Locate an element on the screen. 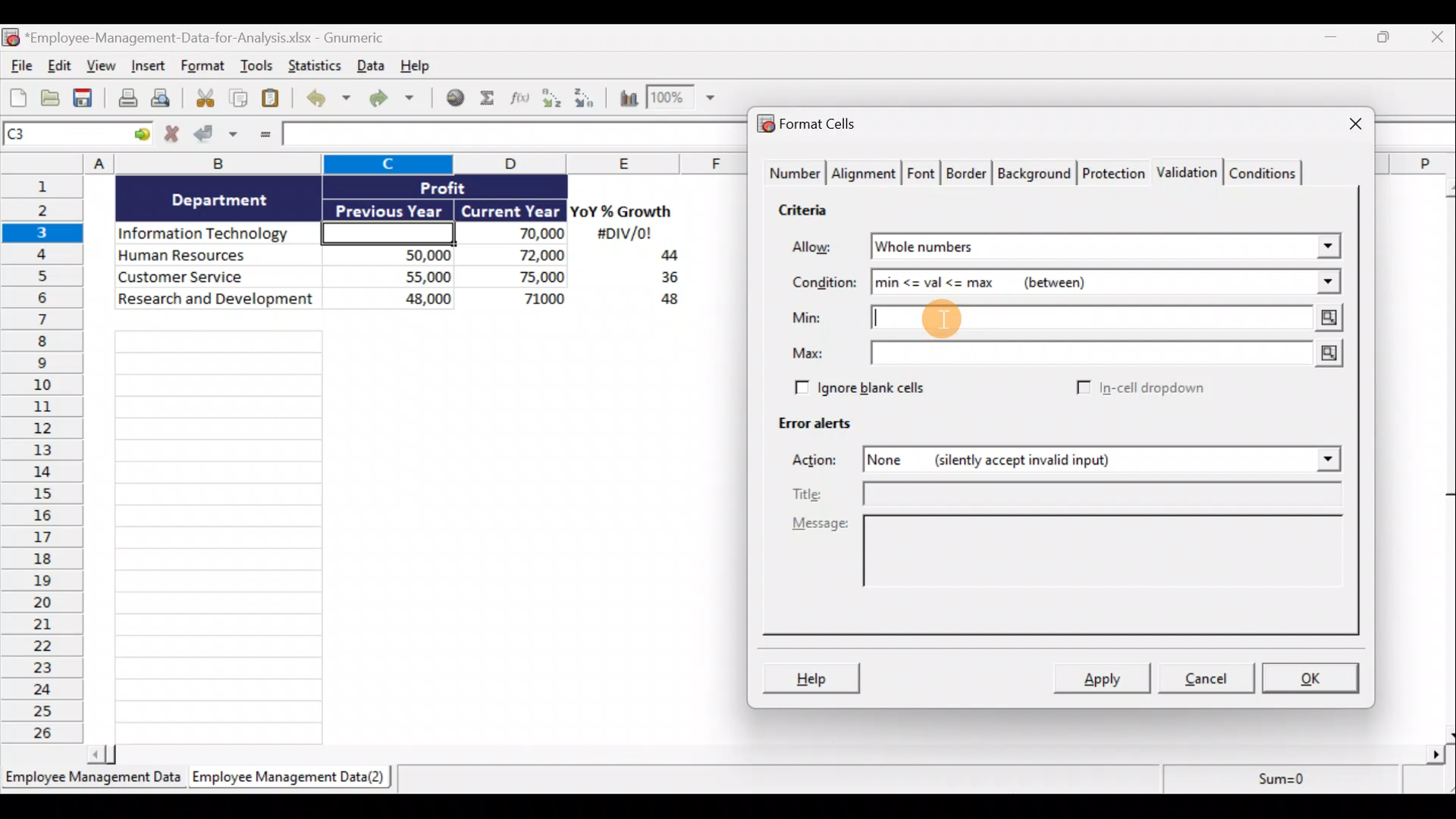 This screenshot has width=1456, height=819. Font is located at coordinates (922, 171).